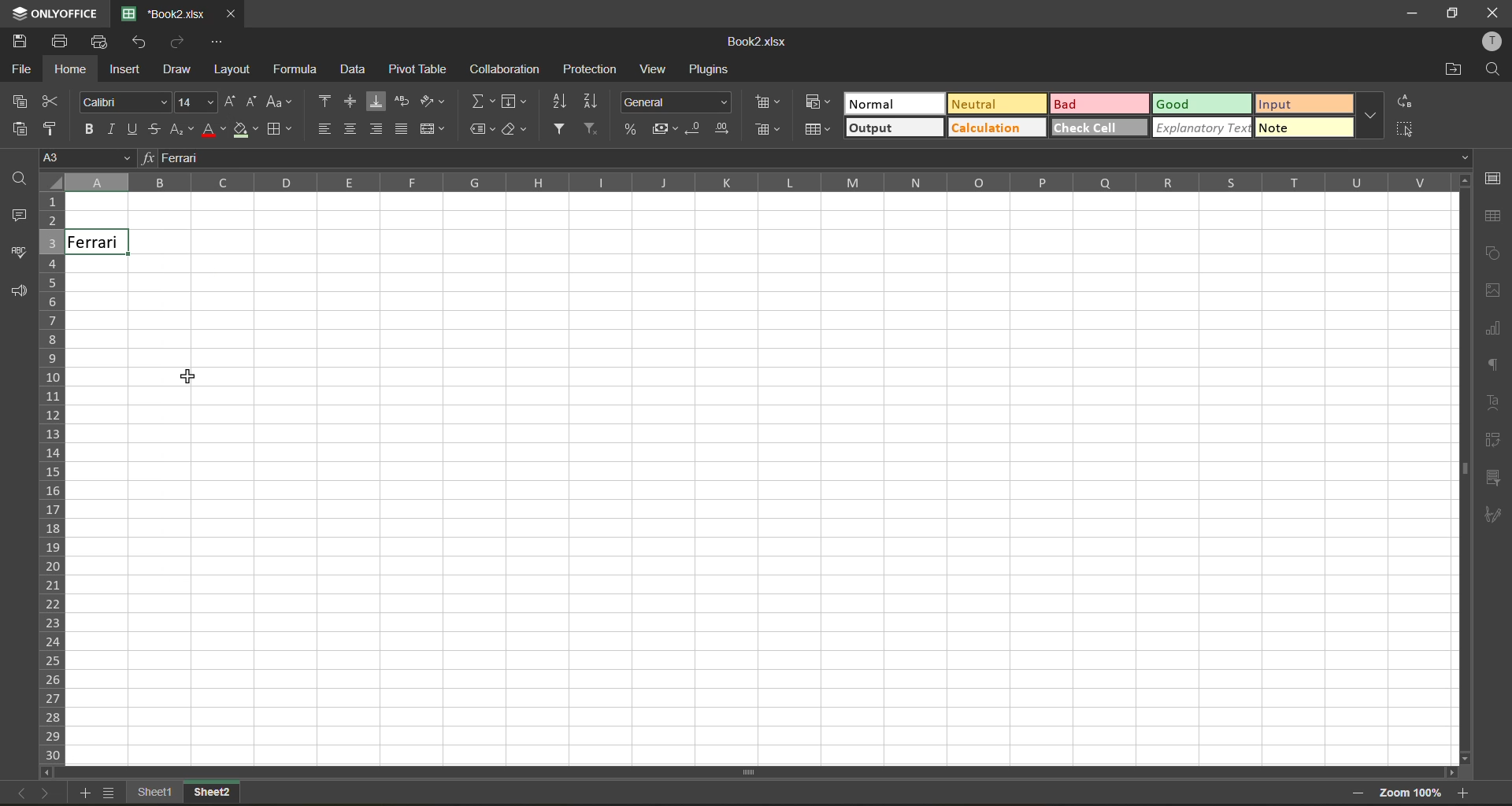  Describe the element at coordinates (17, 293) in the screenshot. I see `feedback` at that location.